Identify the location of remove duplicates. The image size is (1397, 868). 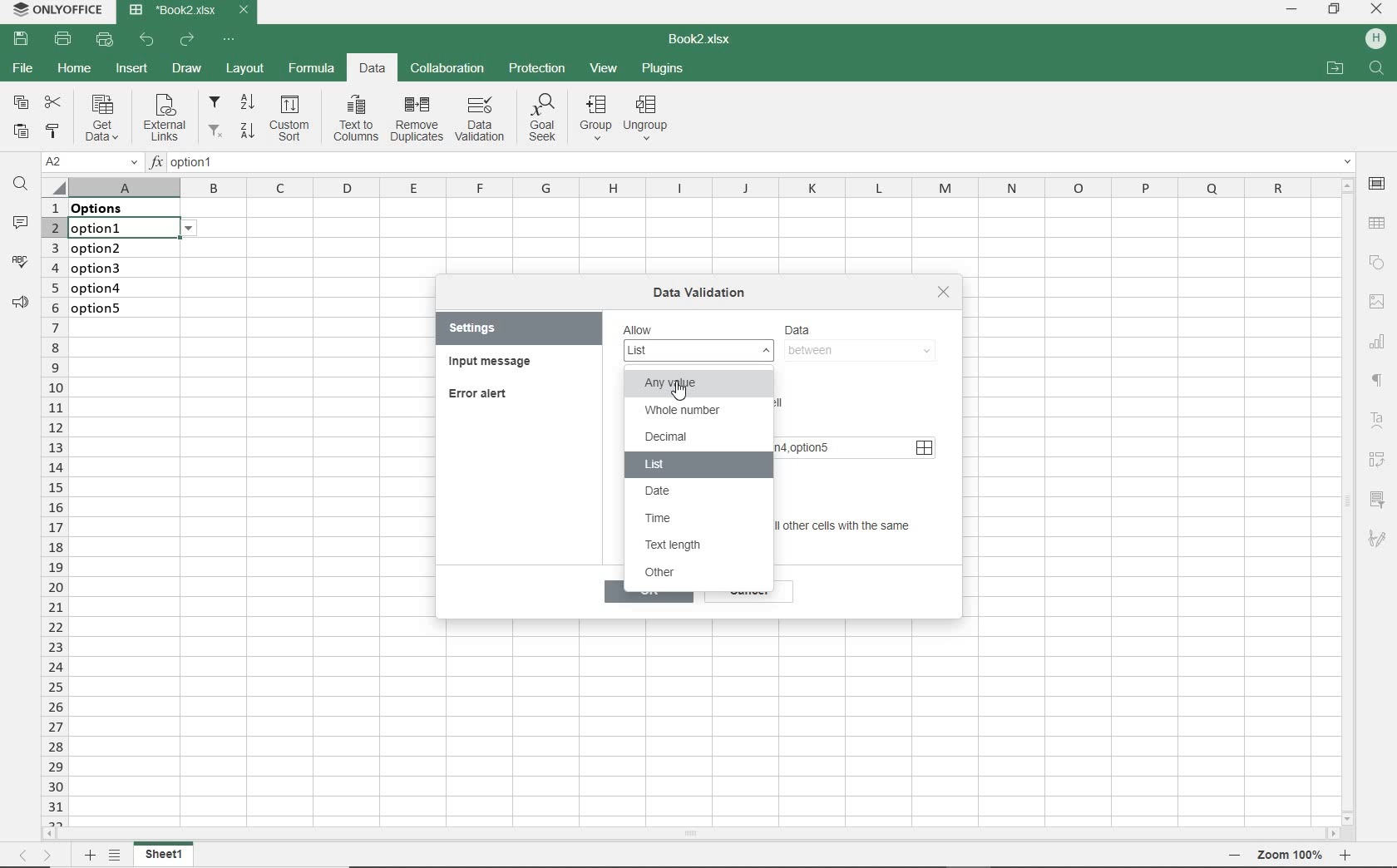
(417, 120).